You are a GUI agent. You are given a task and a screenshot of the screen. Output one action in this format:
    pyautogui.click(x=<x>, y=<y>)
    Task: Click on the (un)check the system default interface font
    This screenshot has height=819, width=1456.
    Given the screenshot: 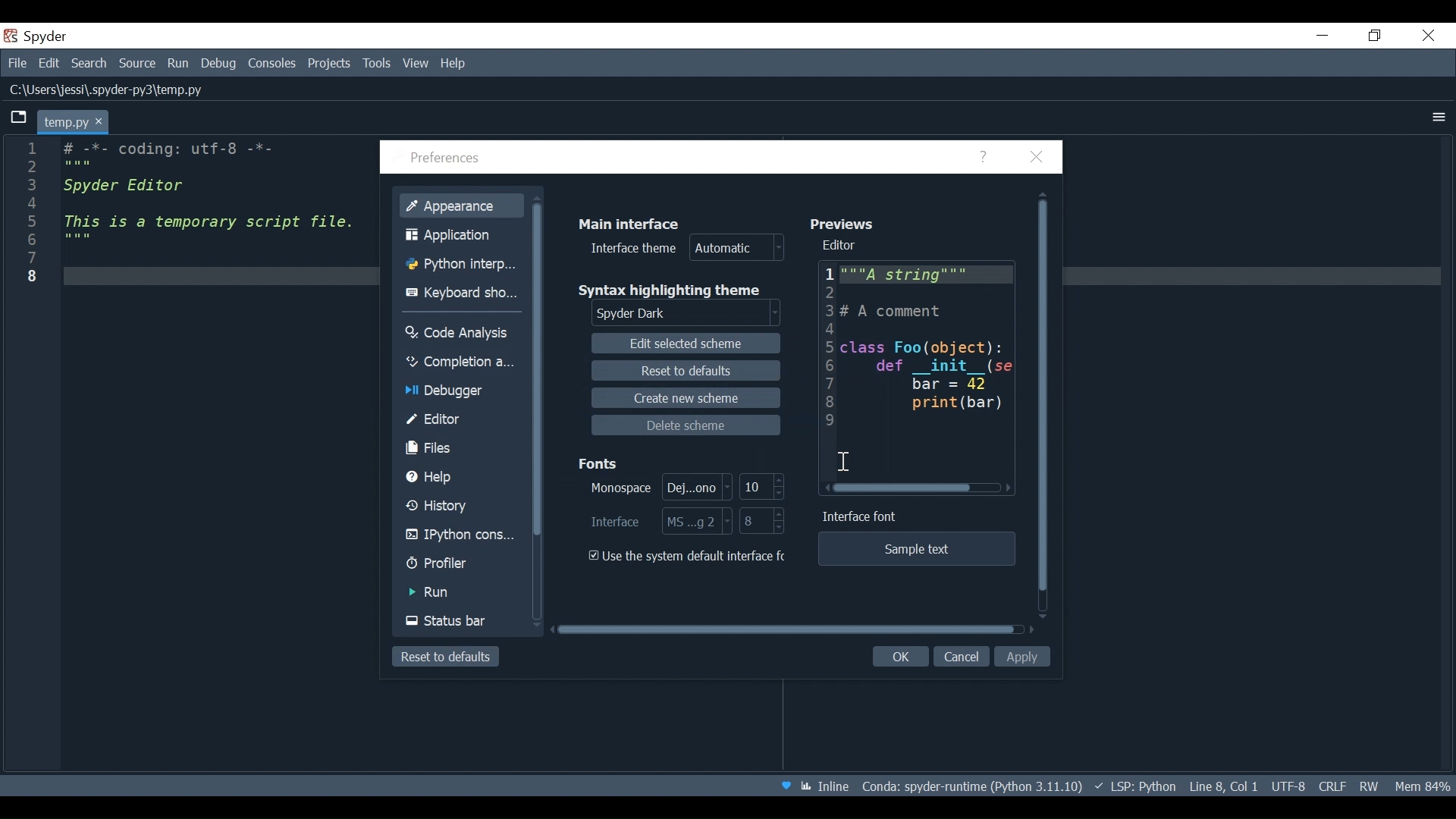 What is the action you would take?
    pyautogui.click(x=691, y=556)
    